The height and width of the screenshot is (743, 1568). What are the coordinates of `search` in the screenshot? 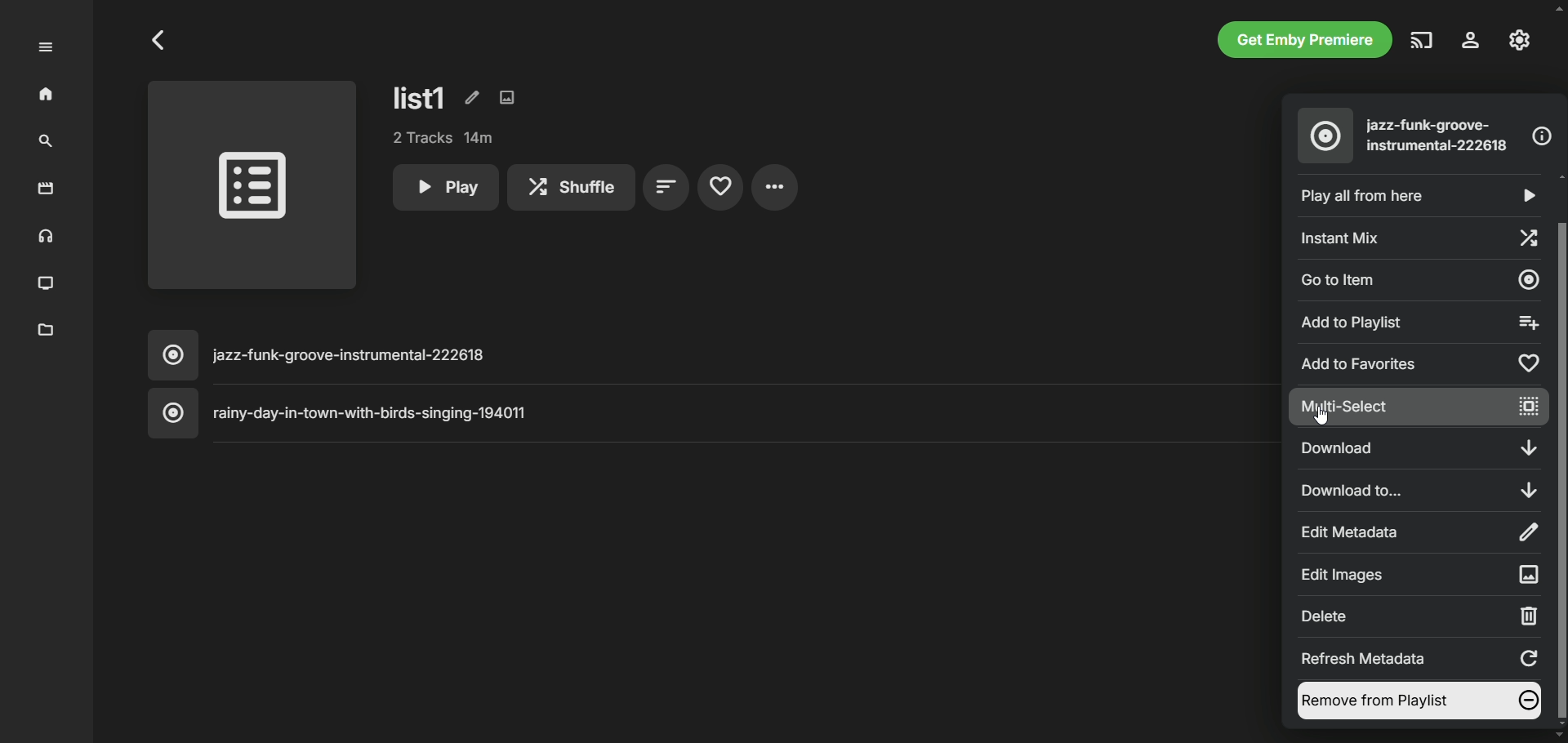 It's located at (46, 142).